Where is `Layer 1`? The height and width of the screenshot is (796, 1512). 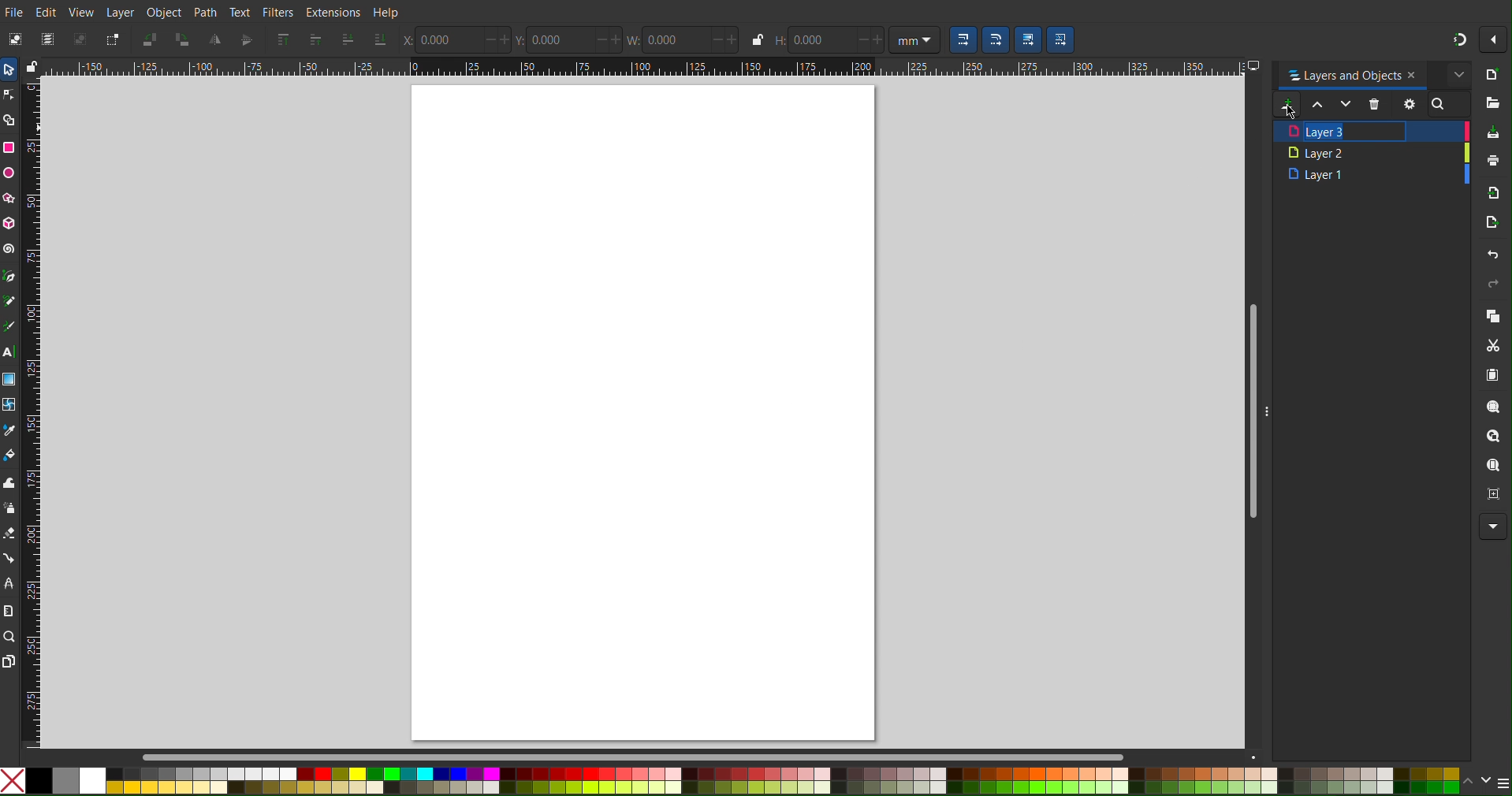
Layer 1 is located at coordinates (1369, 176).